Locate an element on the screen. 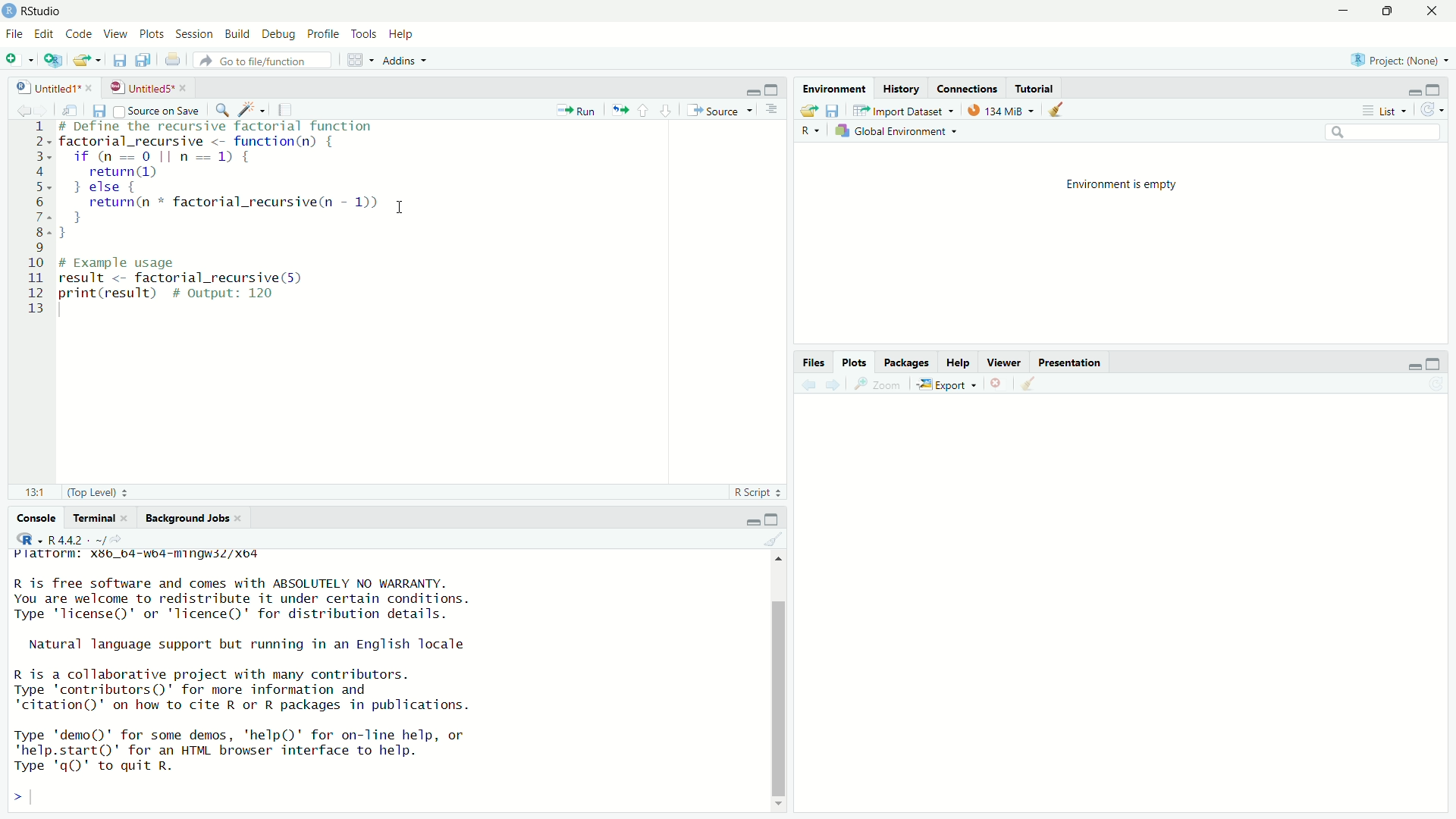  Profile is located at coordinates (321, 34).